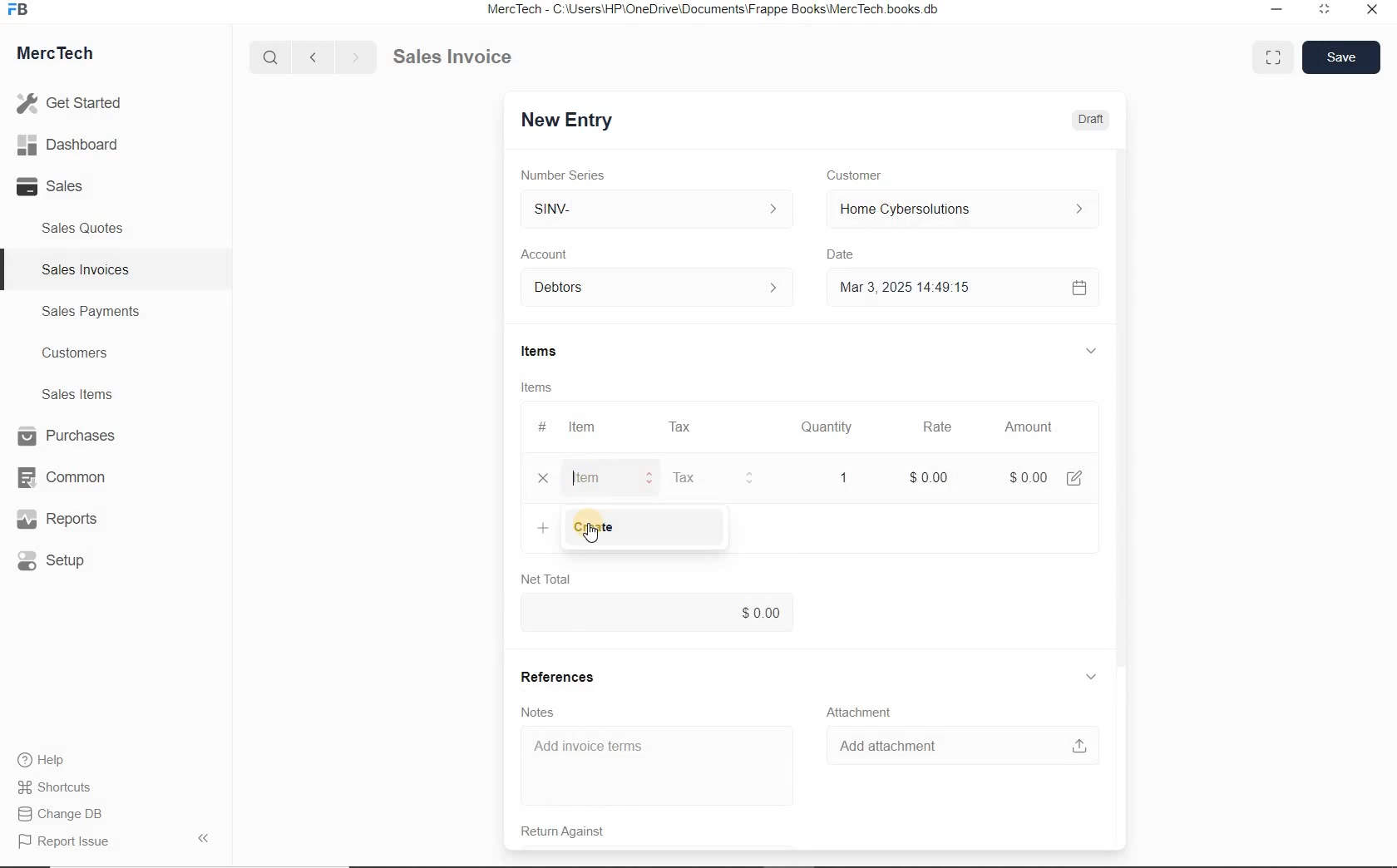  I want to click on + Add Row, so click(591, 478).